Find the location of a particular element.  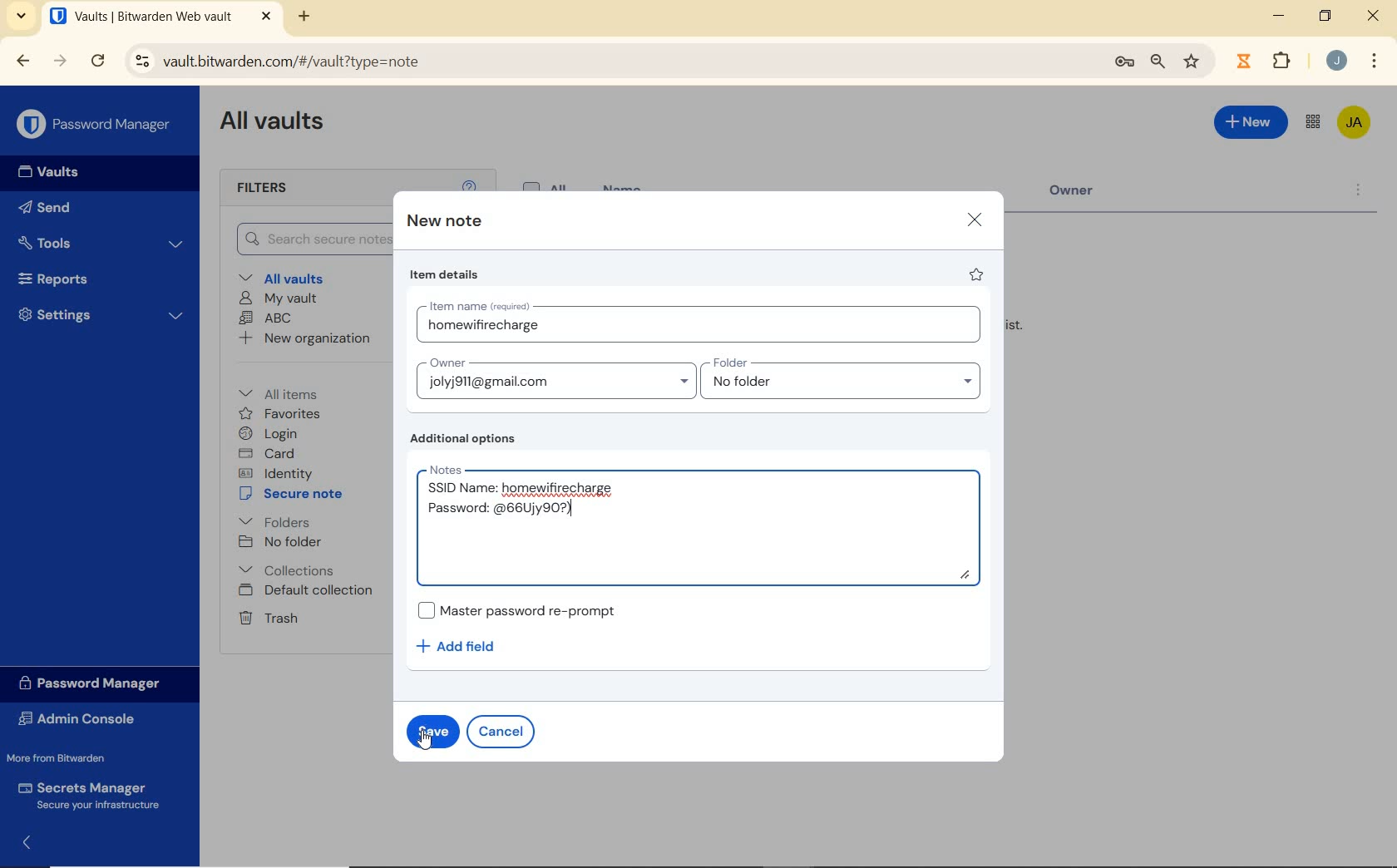

notes is located at coordinates (705, 524).